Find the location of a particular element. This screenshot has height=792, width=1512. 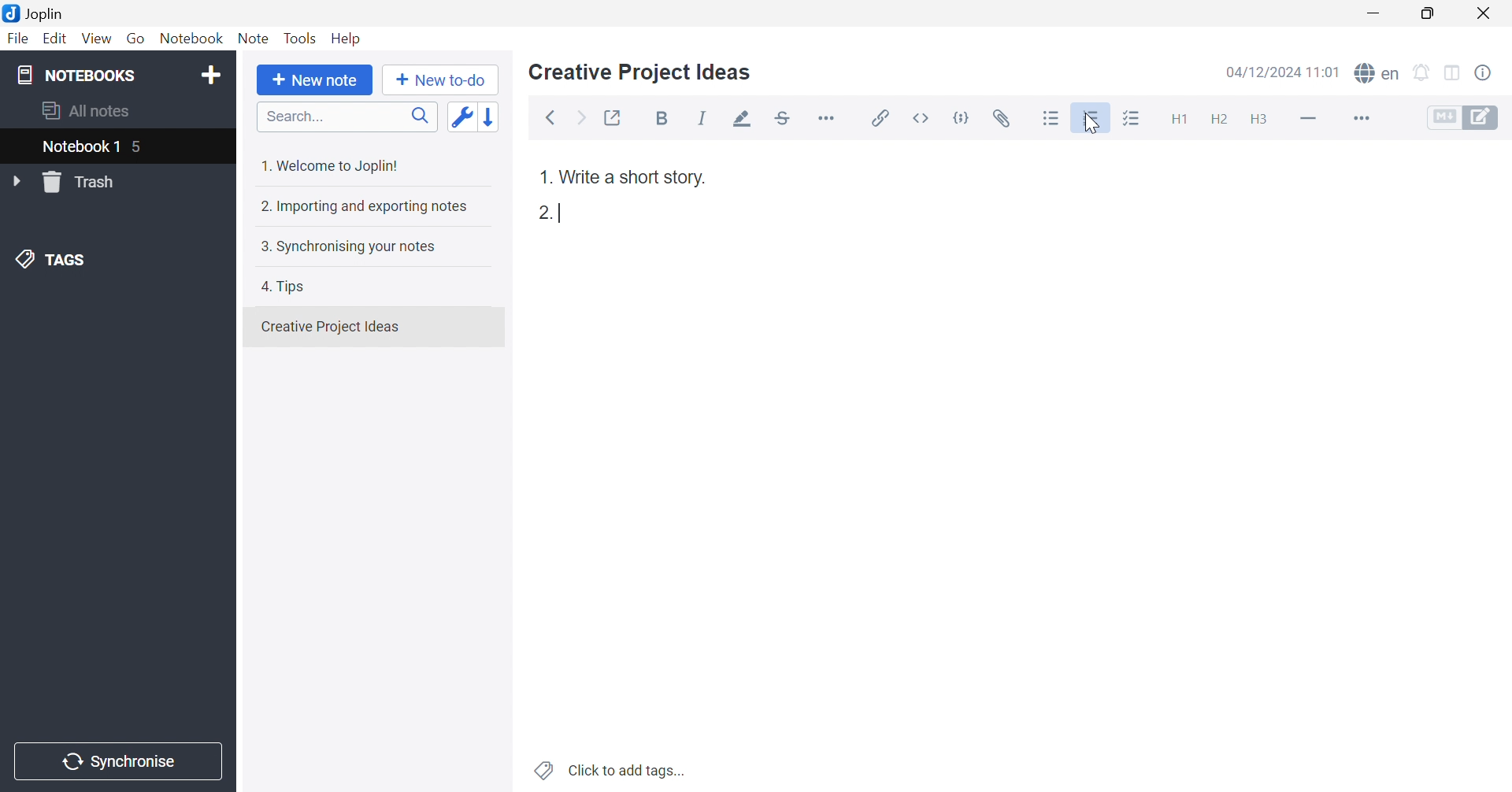

Toggle editors is located at coordinates (1463, 118).